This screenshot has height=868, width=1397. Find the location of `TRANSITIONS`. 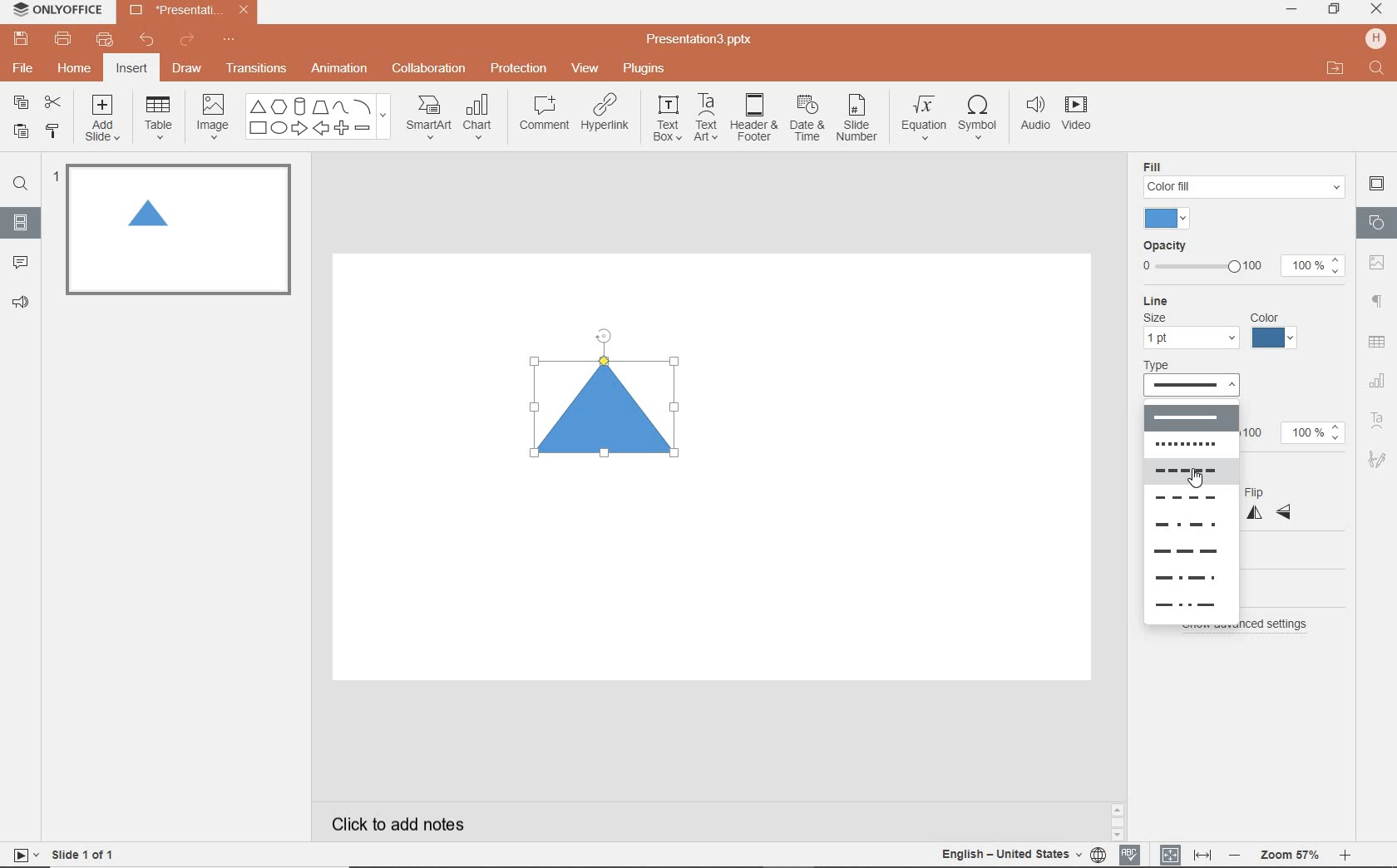

TRANSITIONS is located at coordinates (259, 68).